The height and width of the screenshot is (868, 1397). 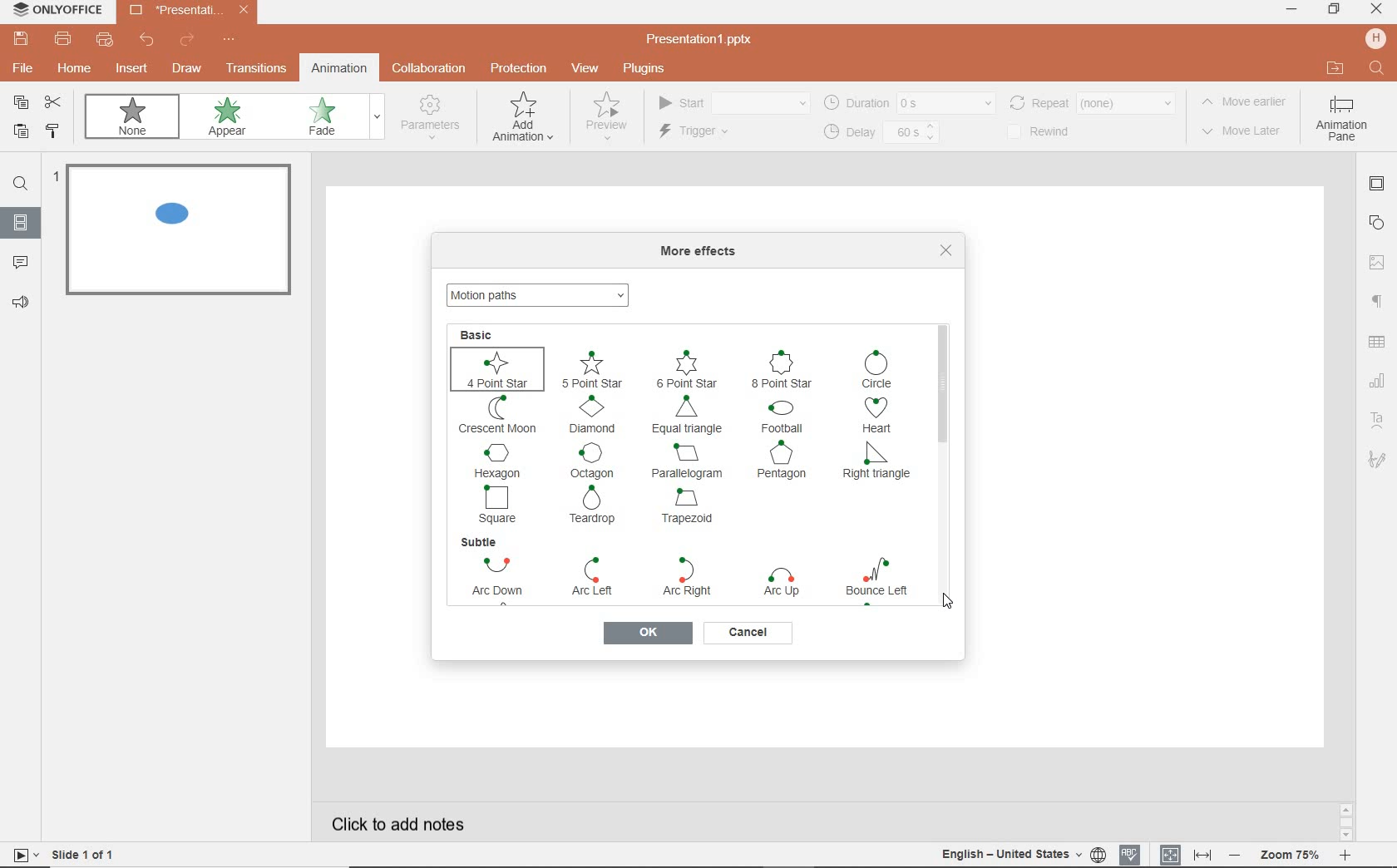 I want to click on ENTRANCE EFFECT, so click(x=541, y=293).